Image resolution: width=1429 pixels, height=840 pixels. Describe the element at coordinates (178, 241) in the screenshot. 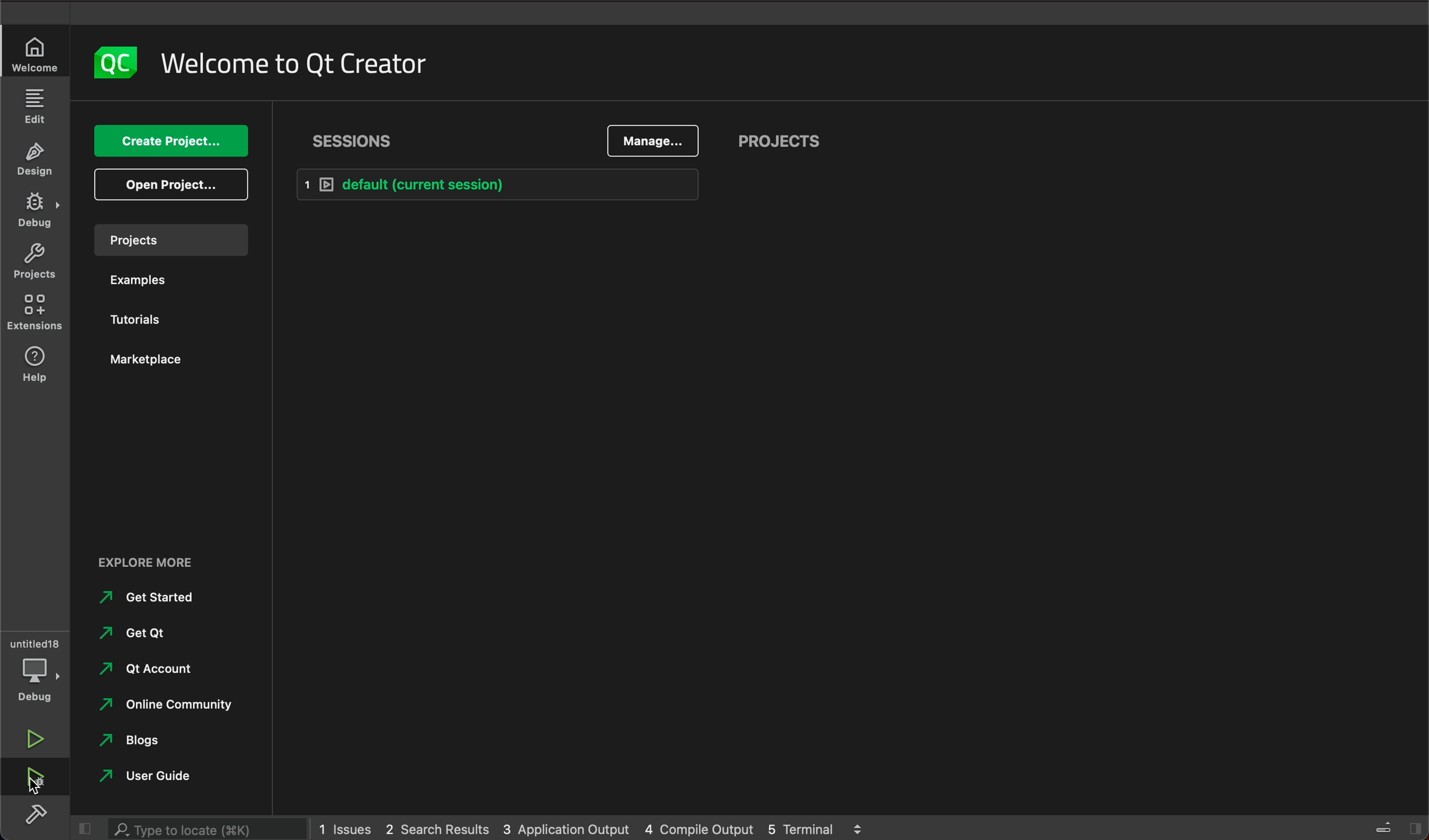

I see `projects` at that location.